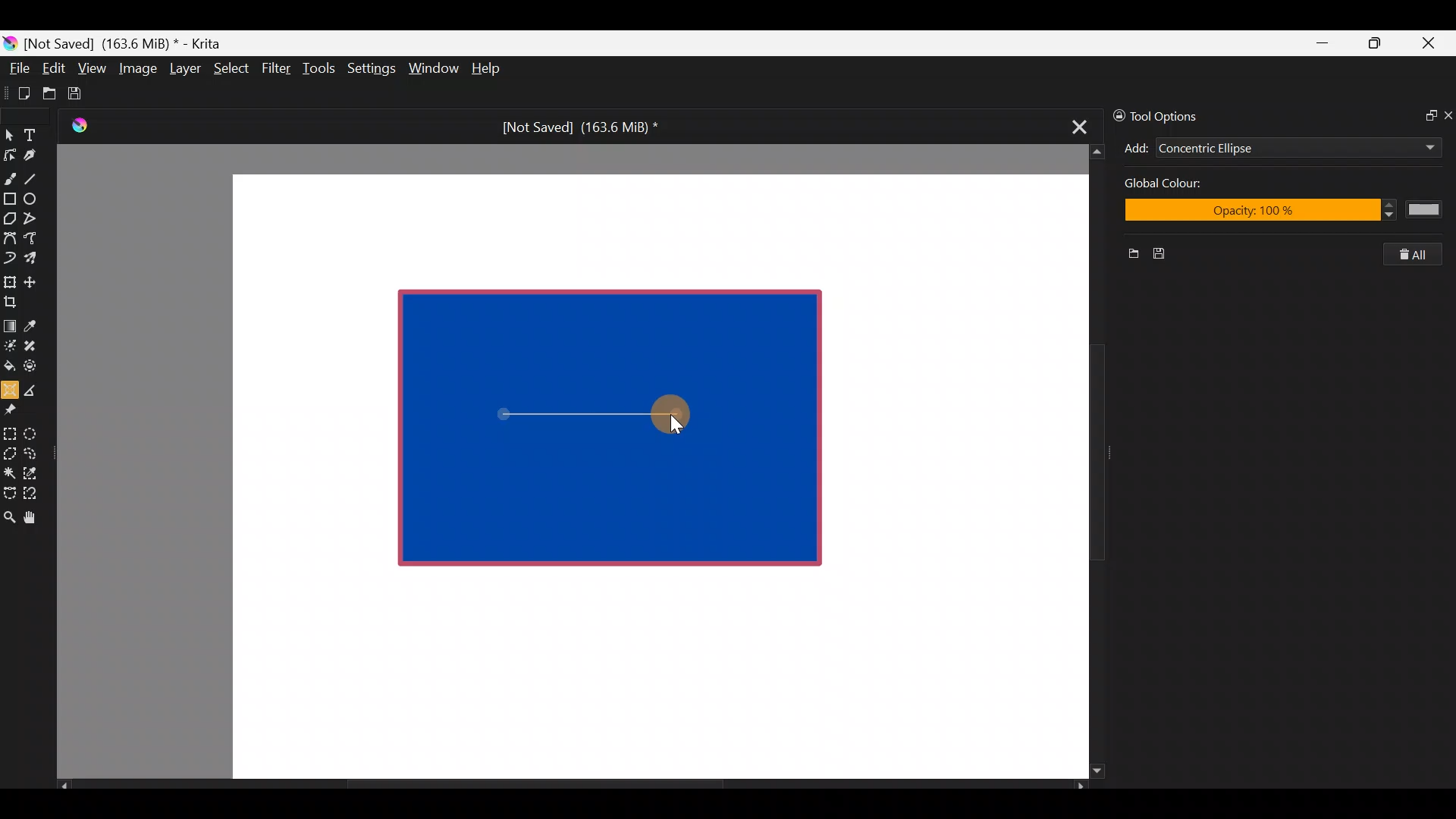 This screenshot has width=1456, height=819. Describe the element at coordinates (15, 301) in the screenshot. I see `Crop the image to an area` at that location.